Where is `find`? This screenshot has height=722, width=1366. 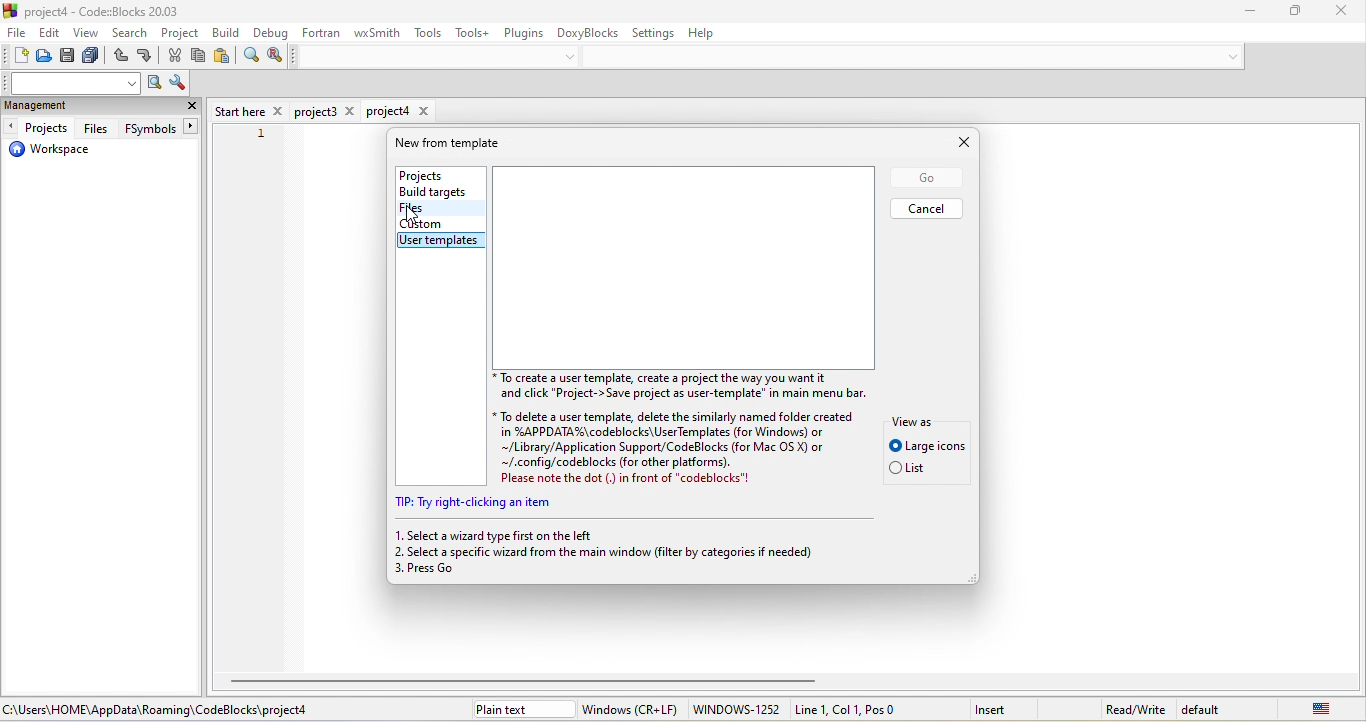 find is located at coordinates (250, 58).